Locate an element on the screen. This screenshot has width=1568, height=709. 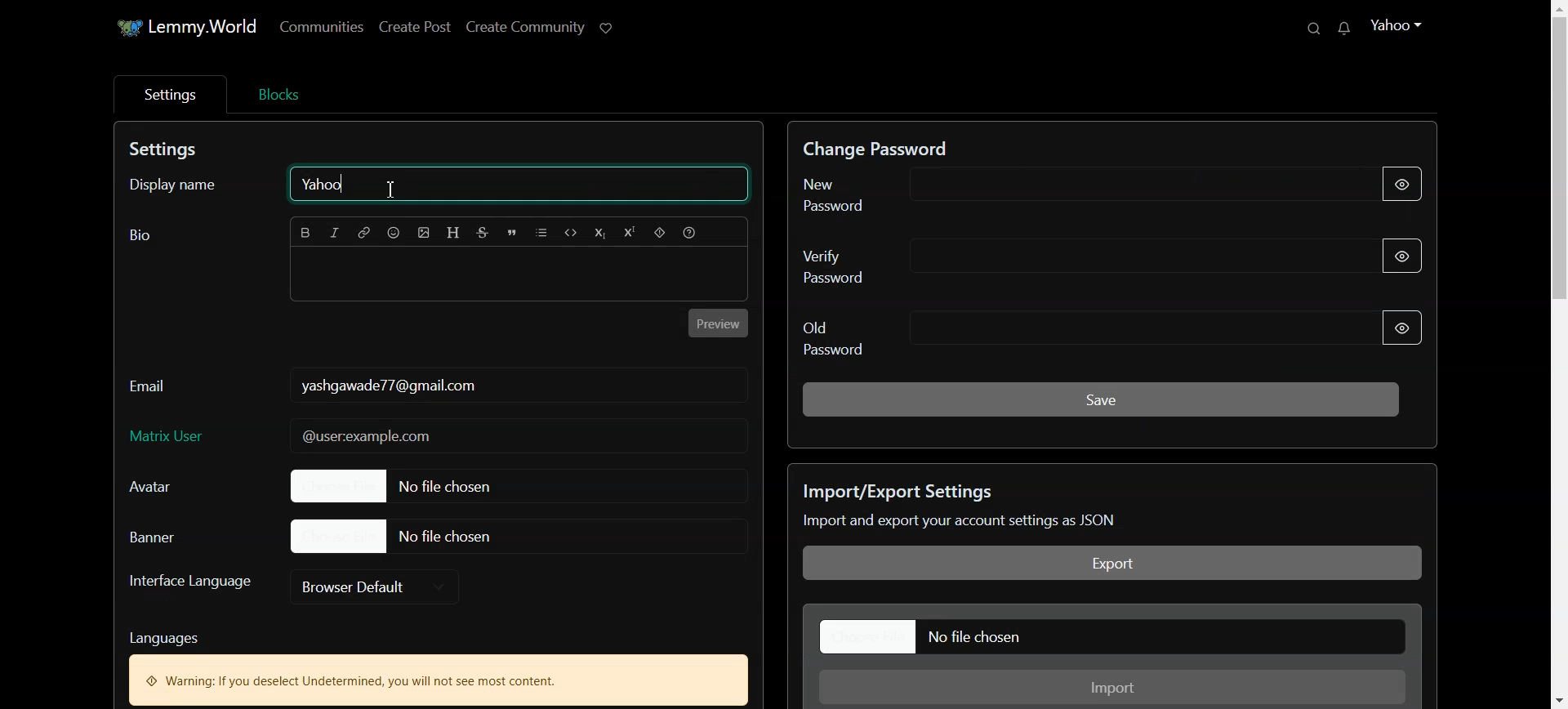
Q is located at coordinates (1294, 29).